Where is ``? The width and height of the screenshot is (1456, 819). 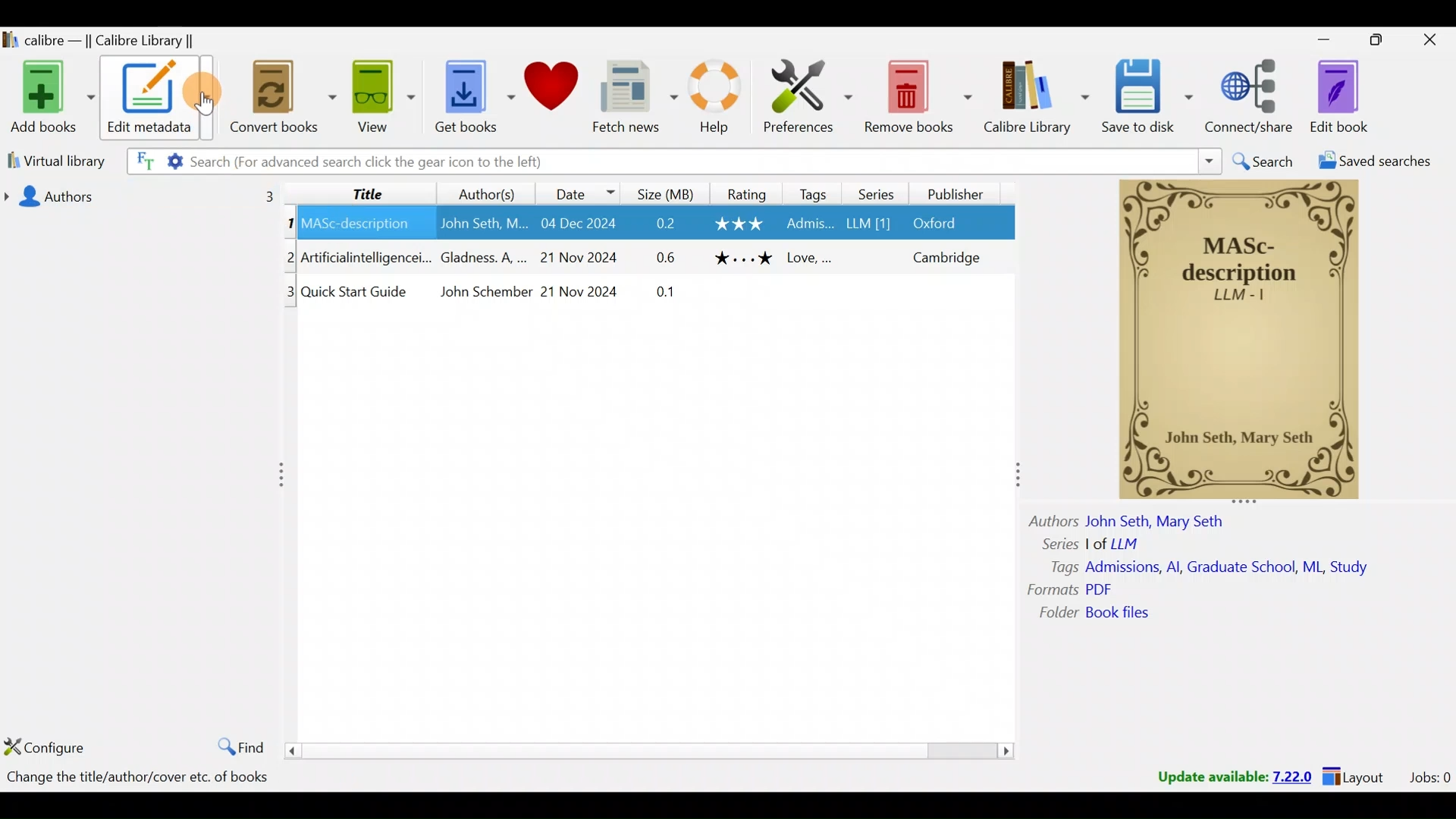  is located at coordinates (1103, 588).